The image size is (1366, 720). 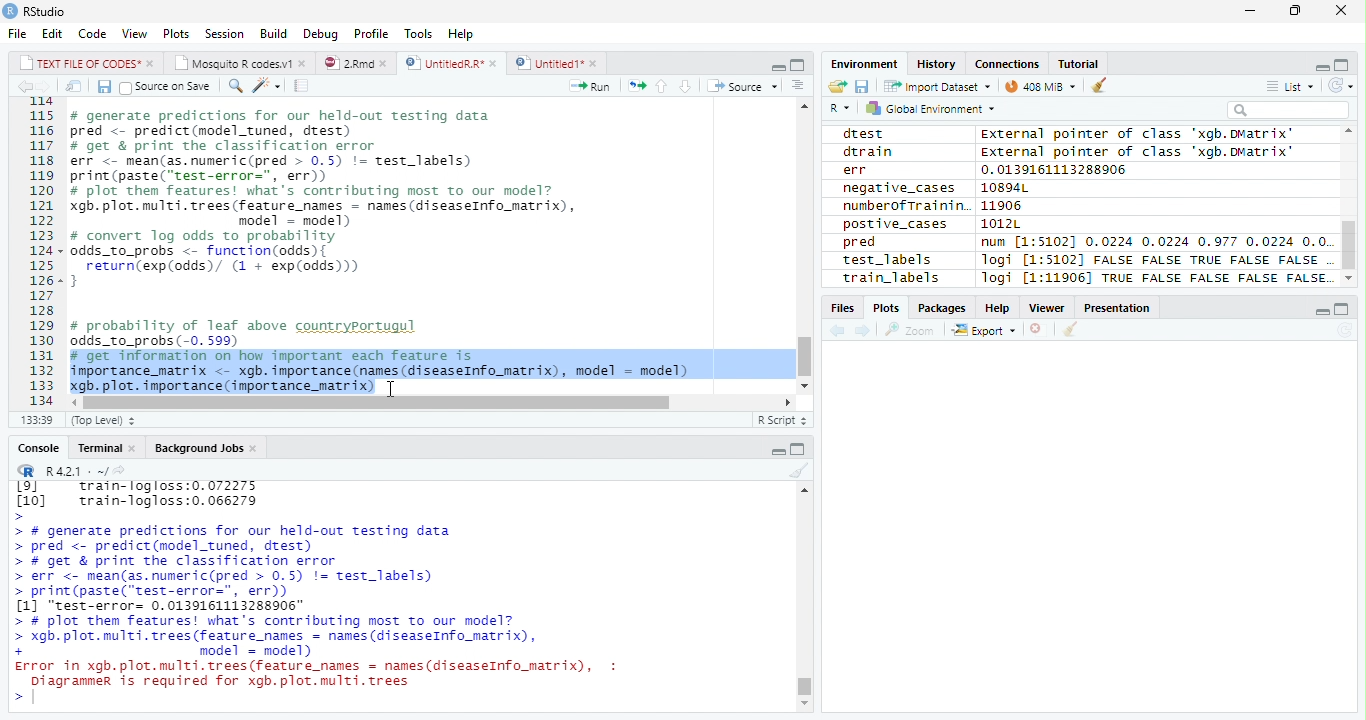 I want to click on Show Document Outline, so click(x=799, y=84).